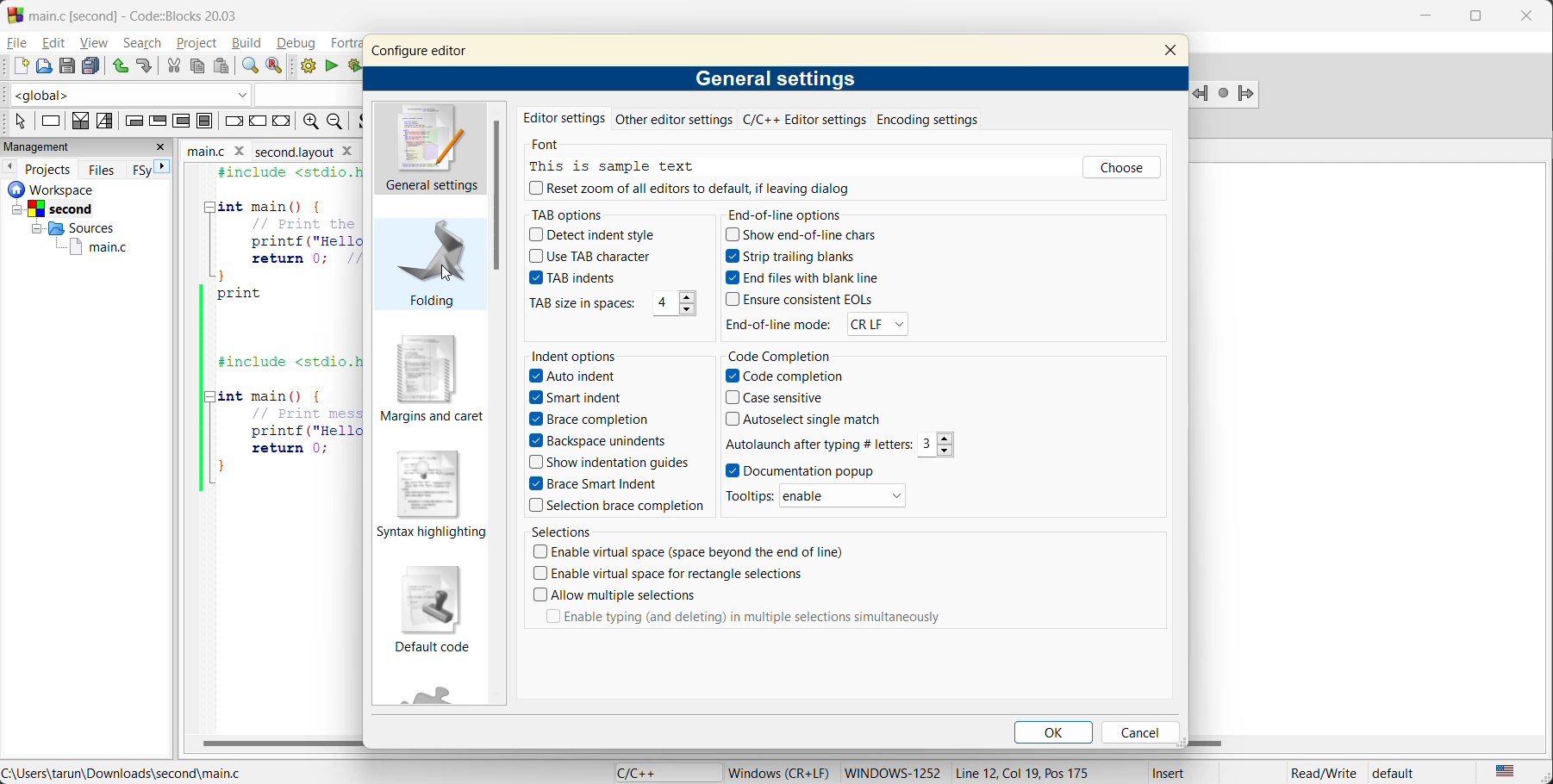  What do you see at coordinates (611, 462) in the screenshot?
I see `Show indentation guides` at bounding box center [611, 462].